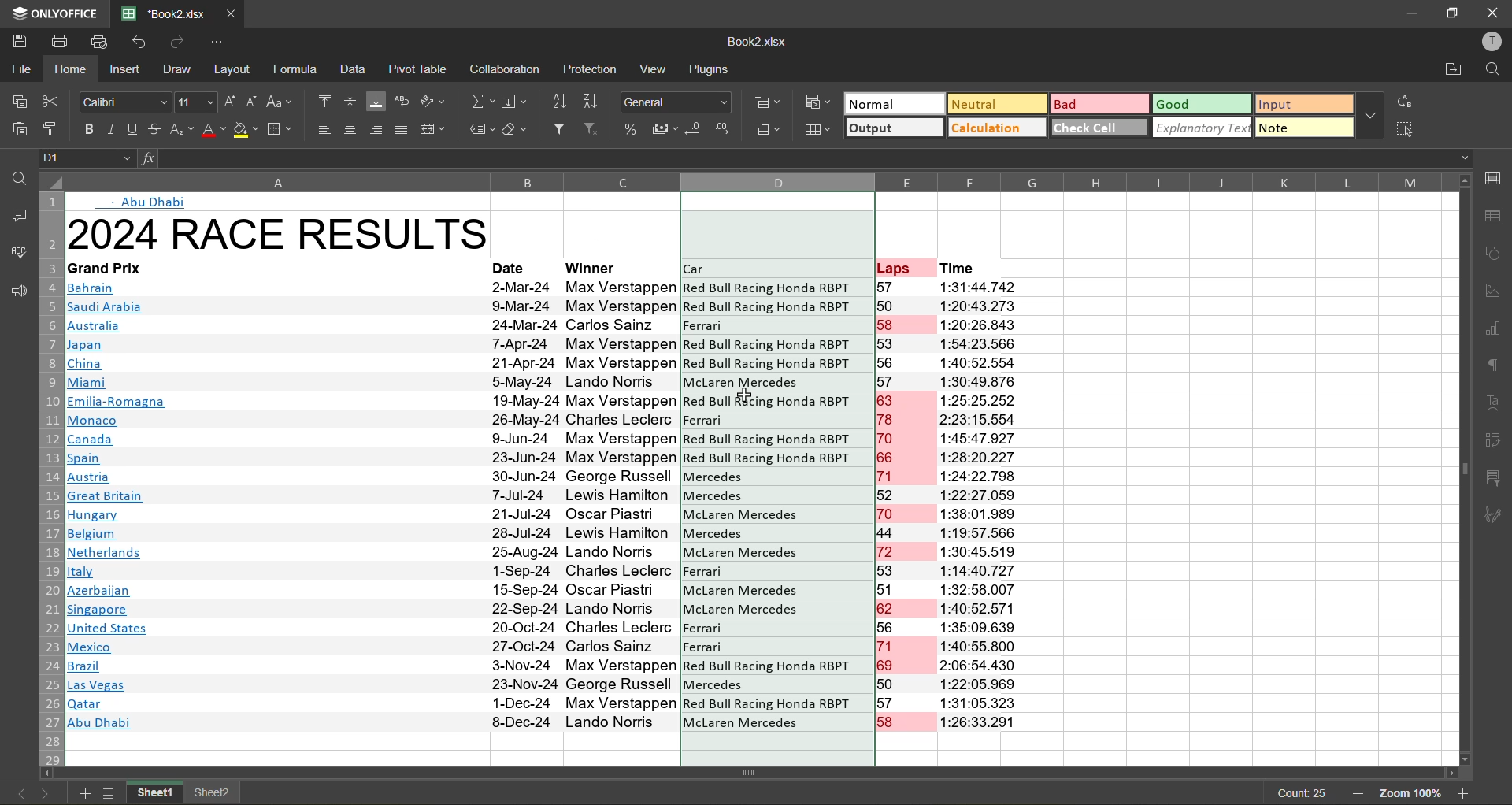  What do you see at coordinates (235, 69) in the screenshot?
I see `layout` at bounding box center [235, 69].